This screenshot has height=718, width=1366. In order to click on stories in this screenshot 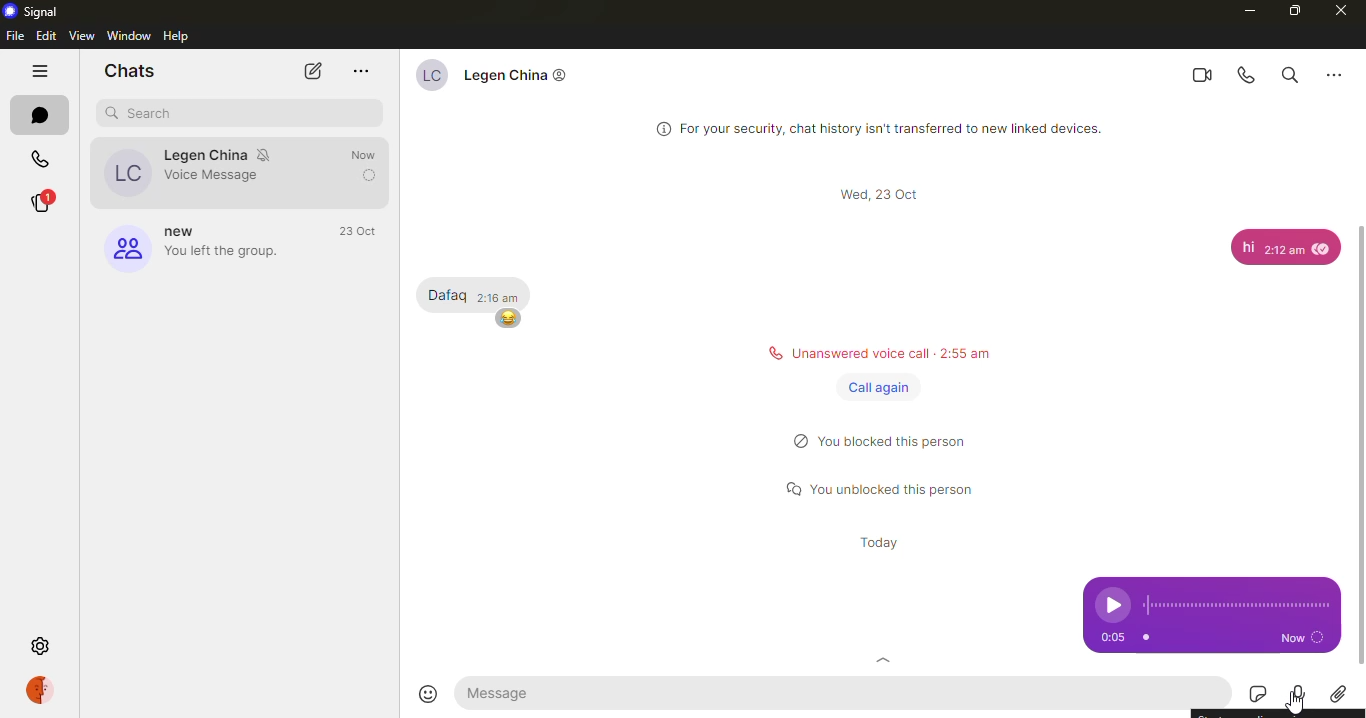, I will do `click(42, 199)`.